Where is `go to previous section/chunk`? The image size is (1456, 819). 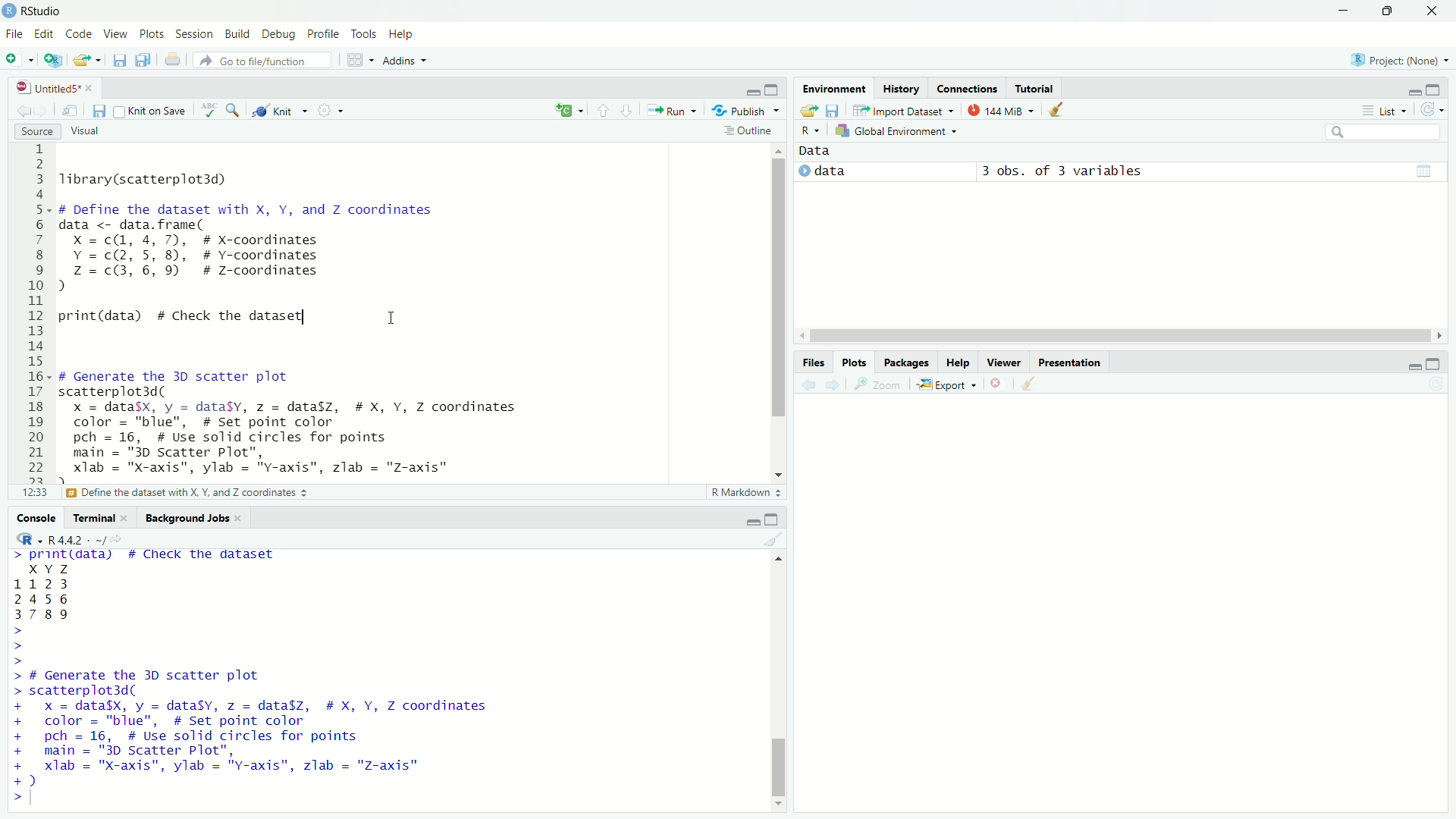 go to previous section/chunk is located at coordinates (604, 111).